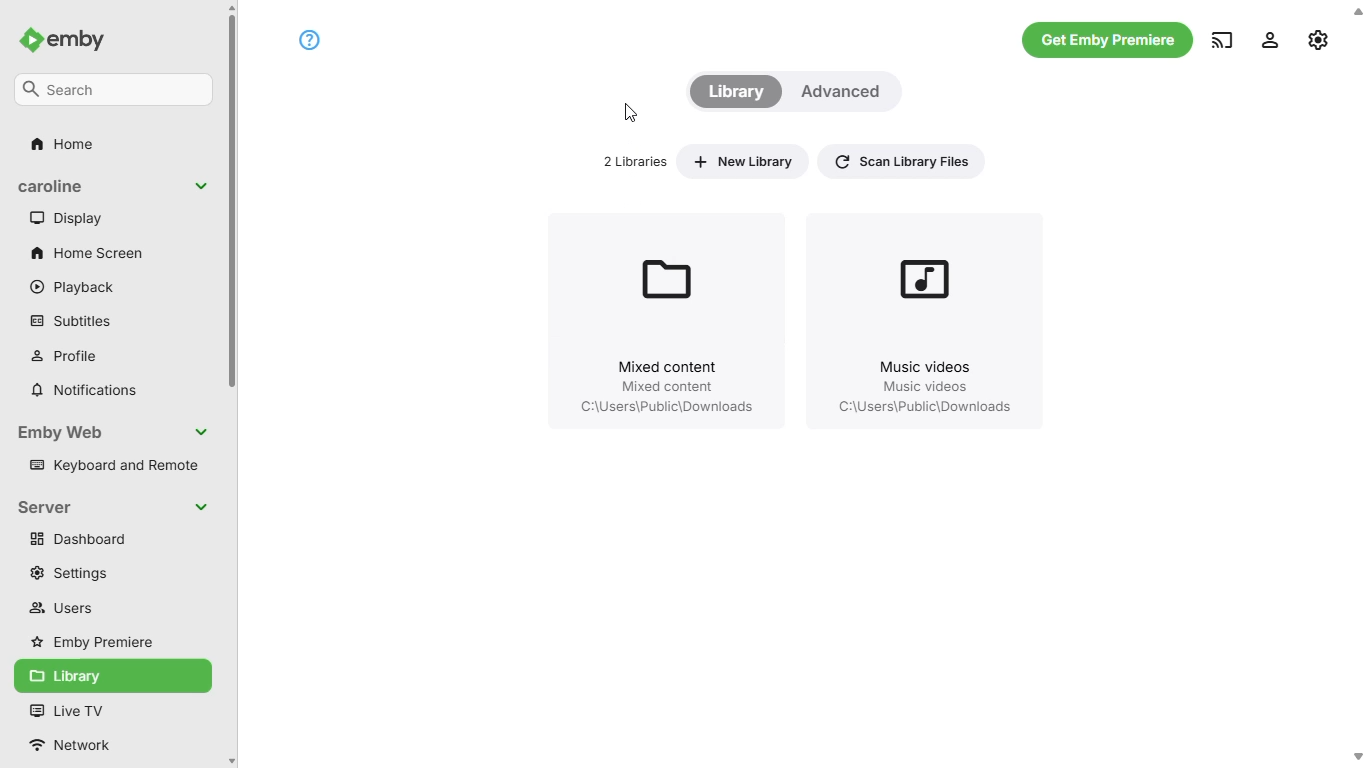  What do you see at coordinates (113, 463) in the screenshot?
I see `keyboard and remote` at bounding box center [113, 463].